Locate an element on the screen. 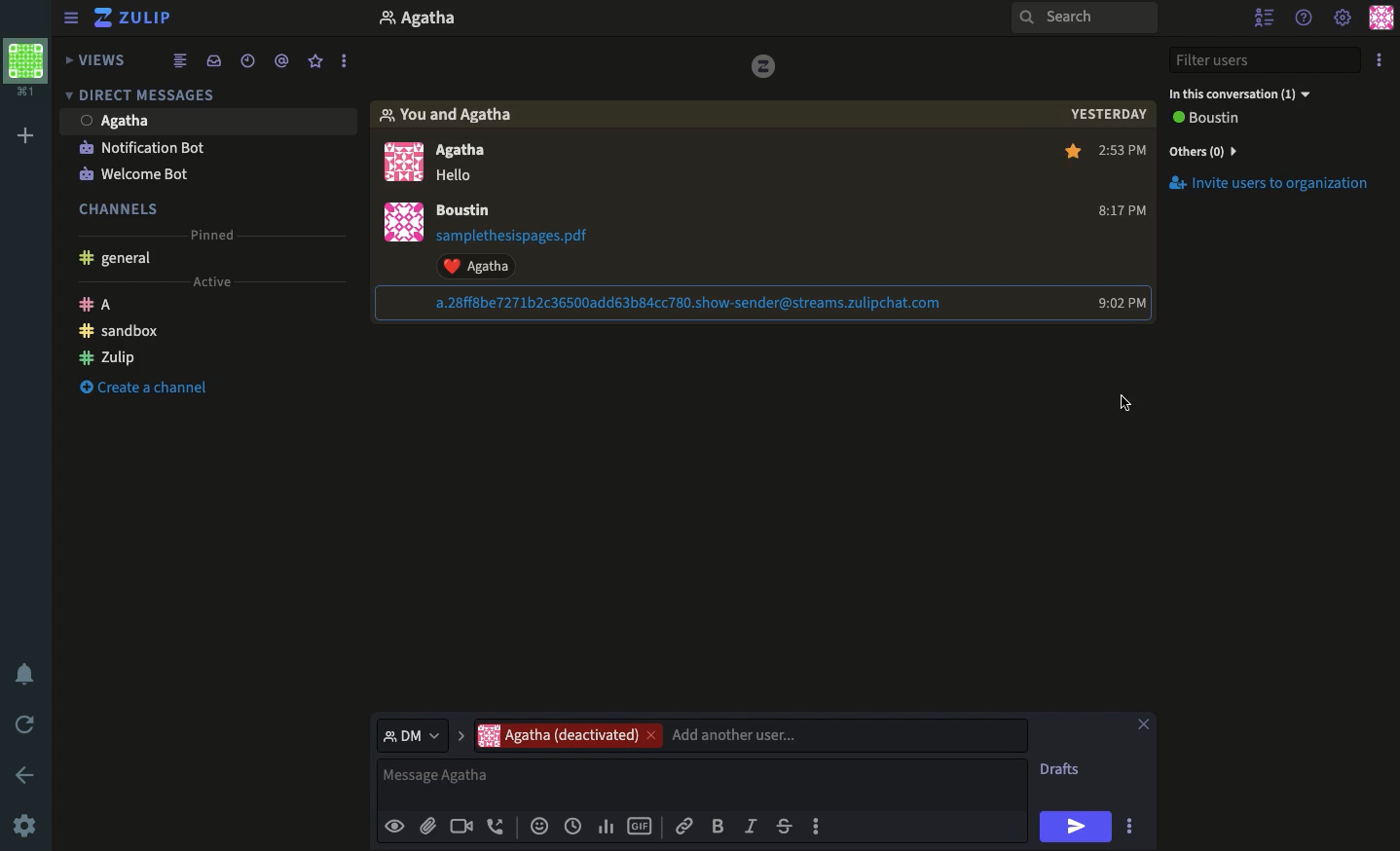 The height and width of the screenshot is (851, 1400). A is located at coordinates (101, 305).